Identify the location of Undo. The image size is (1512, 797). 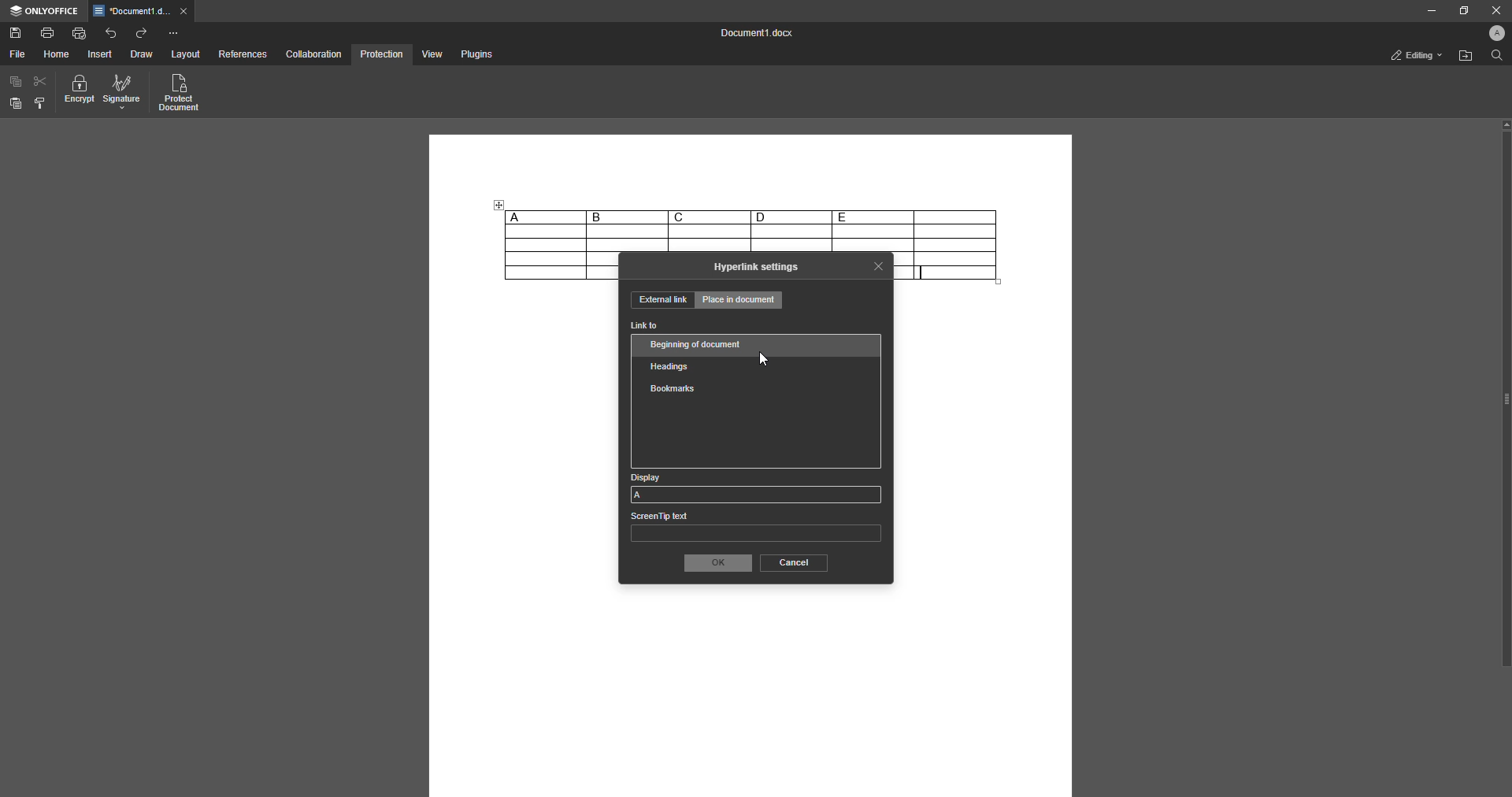
(111, 32).